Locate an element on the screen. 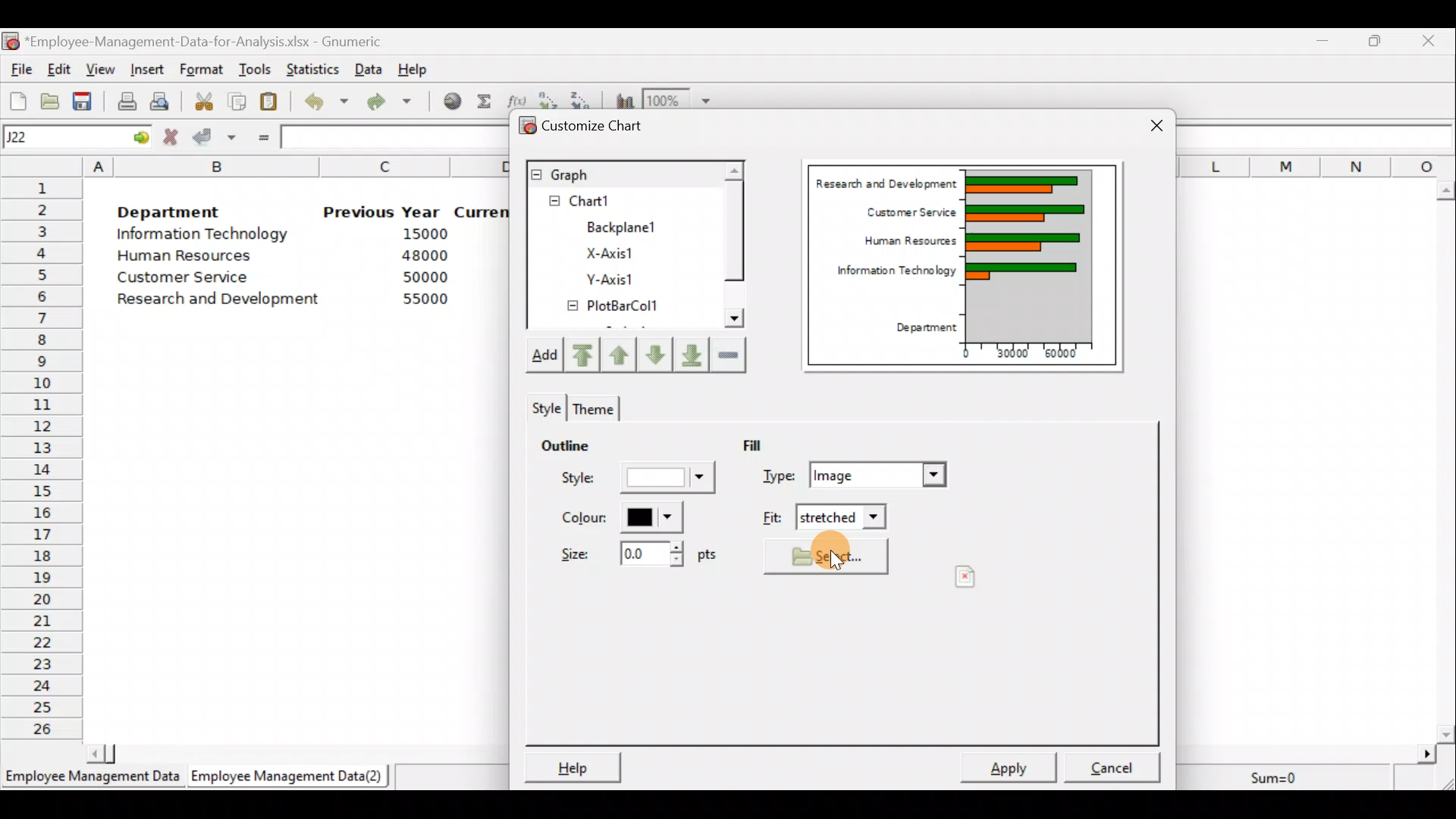 The height and width of the screenshot is (819, 1456). Type is located at coordinates (856, 473).